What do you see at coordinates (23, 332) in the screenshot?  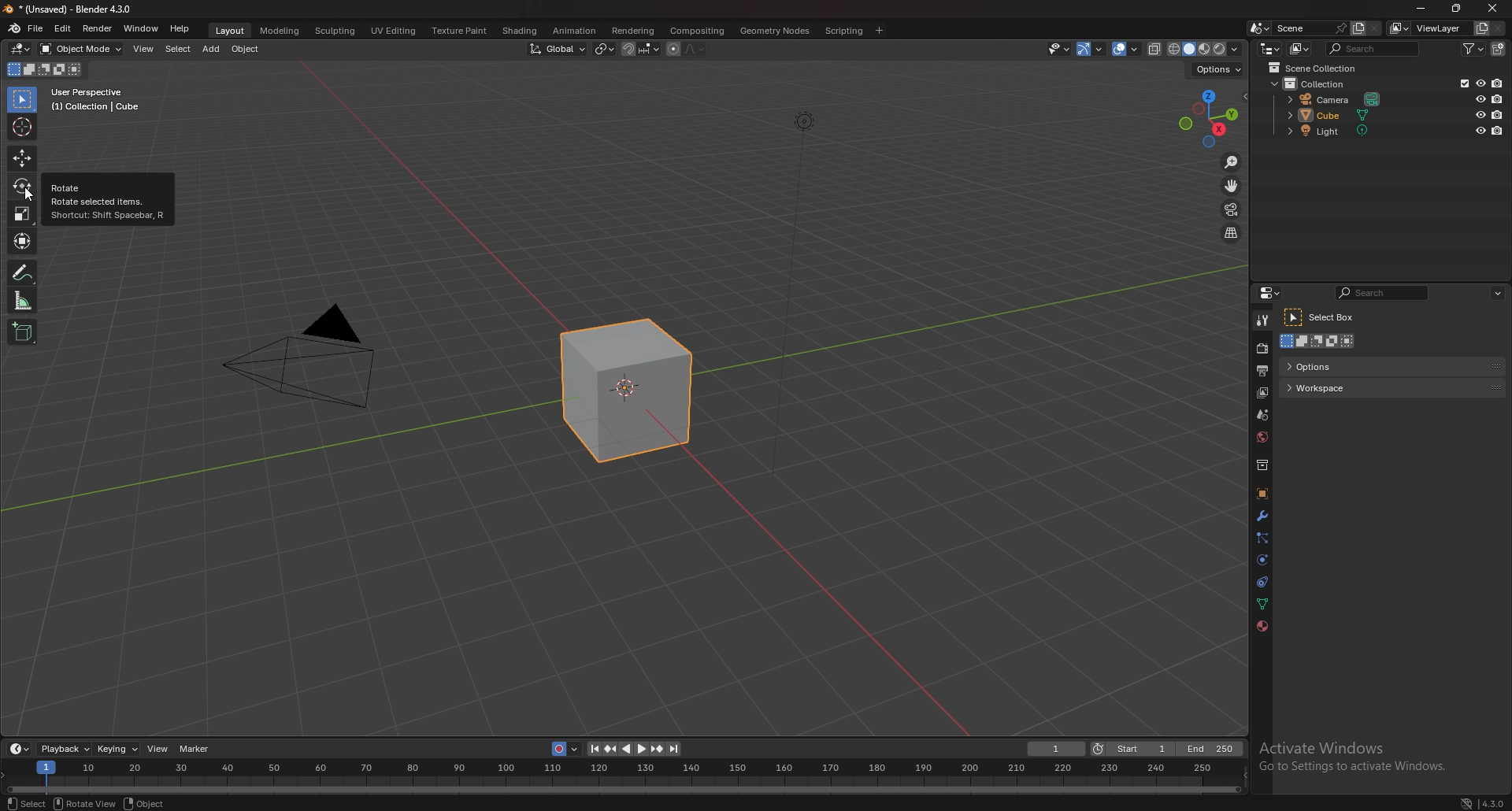 I see `add cube` at bounding box center [23, 332].